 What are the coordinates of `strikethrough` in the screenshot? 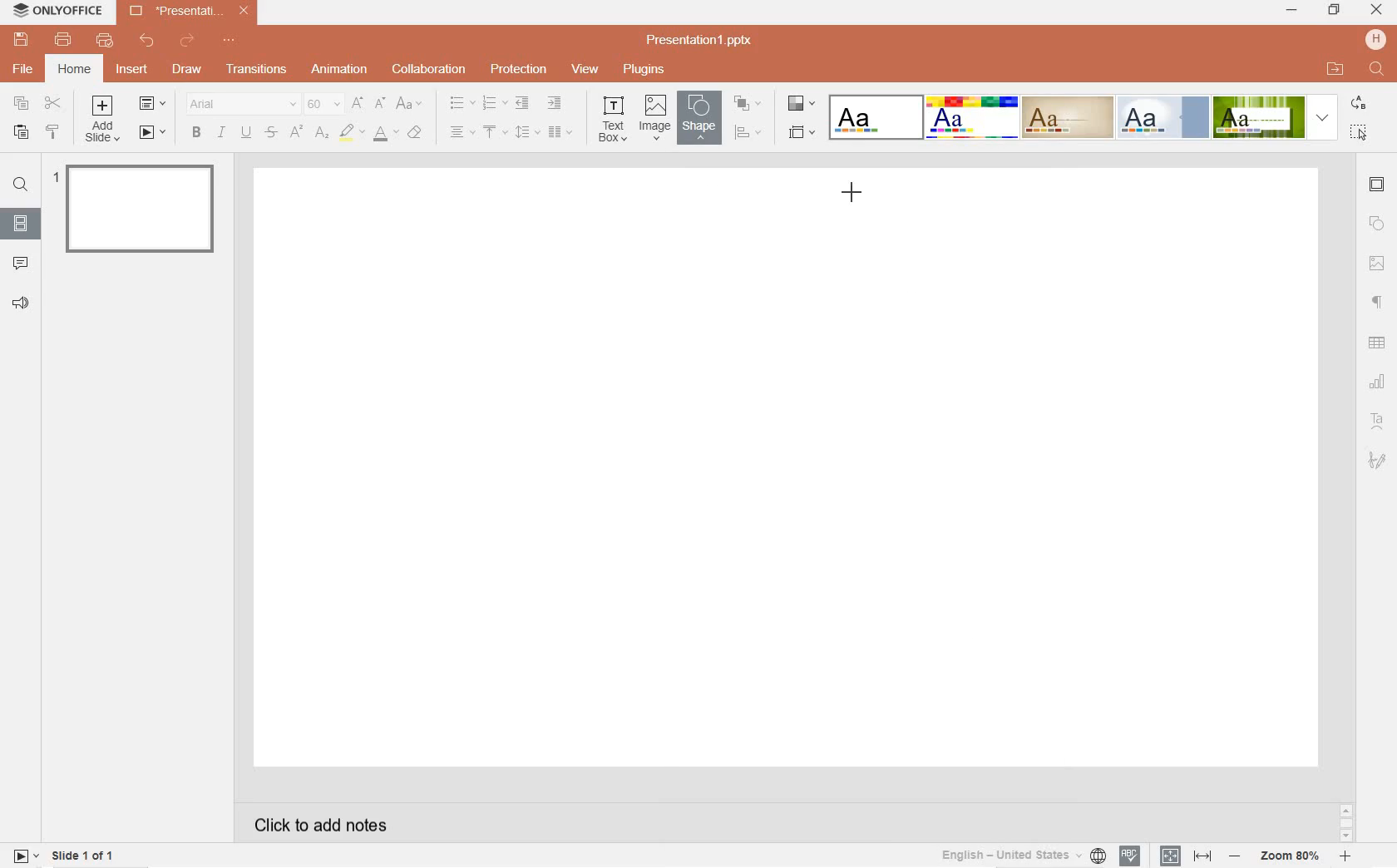 It's located at (271, 133).